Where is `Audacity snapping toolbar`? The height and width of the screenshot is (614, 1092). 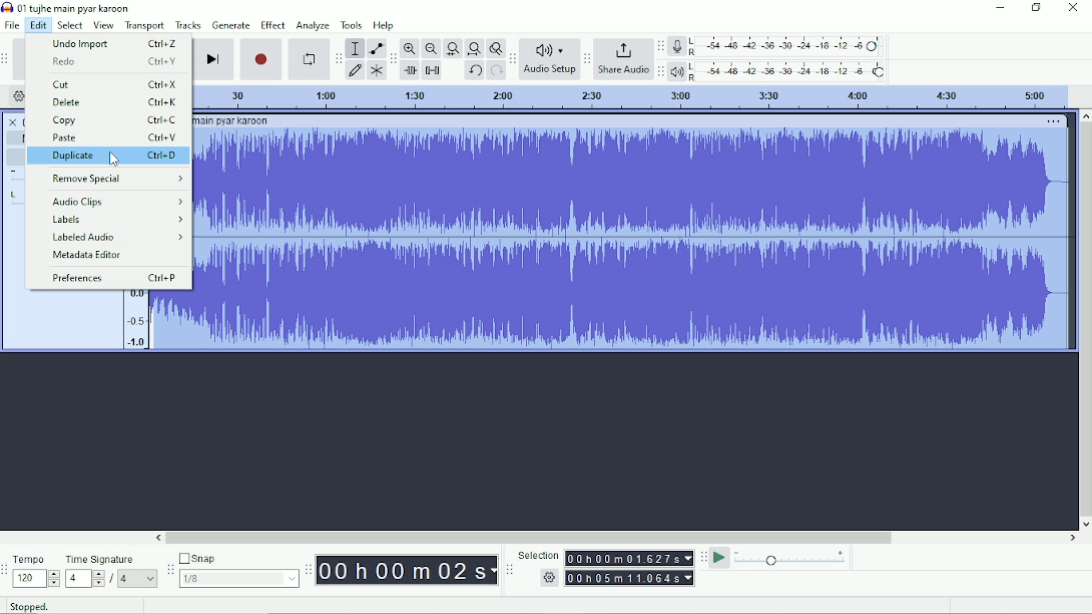
Audacity snapping toolbar is located at coordinates (169, 568).